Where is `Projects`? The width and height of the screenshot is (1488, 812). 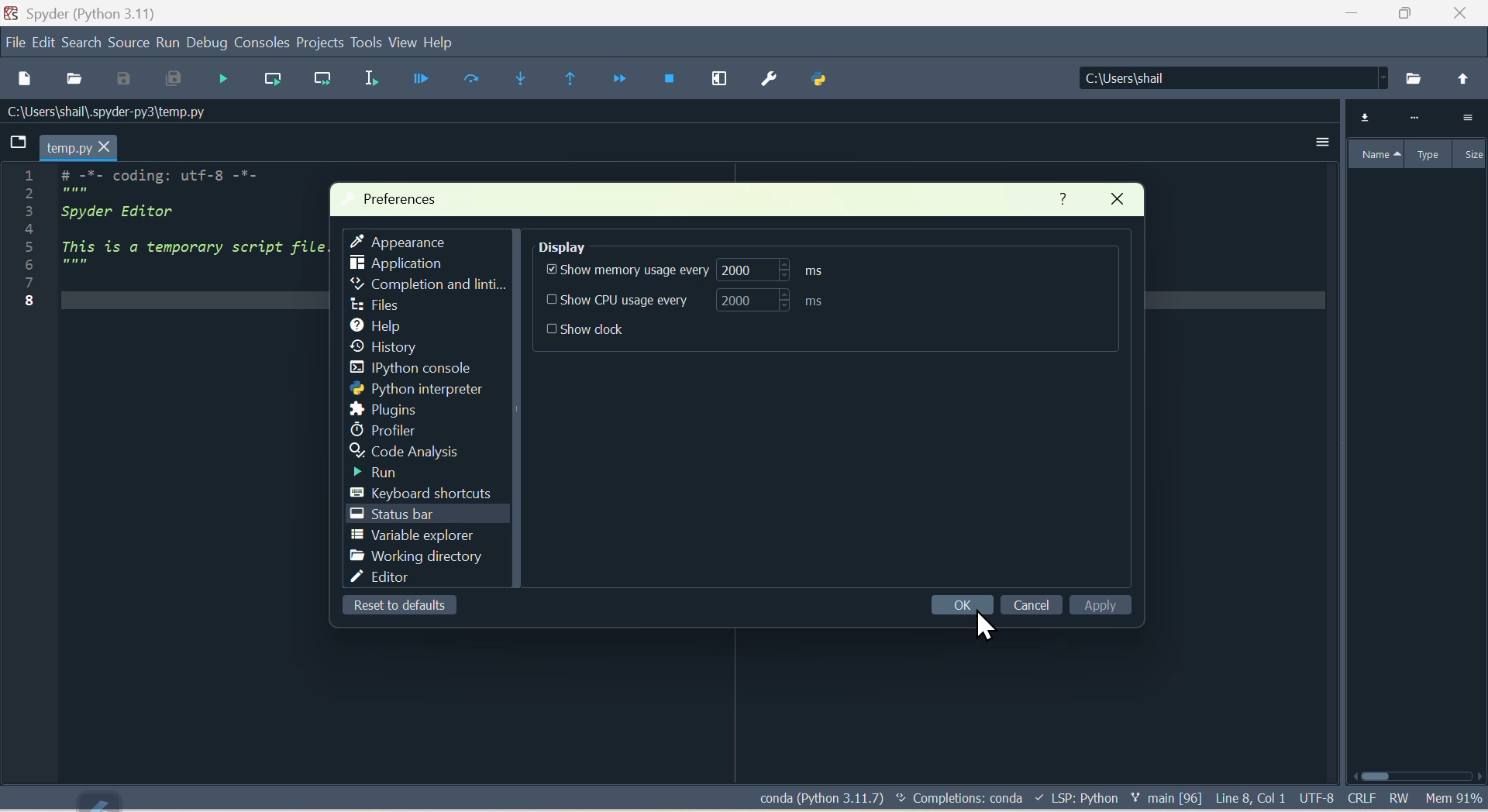 Projects is located at coordinates (320, 42).